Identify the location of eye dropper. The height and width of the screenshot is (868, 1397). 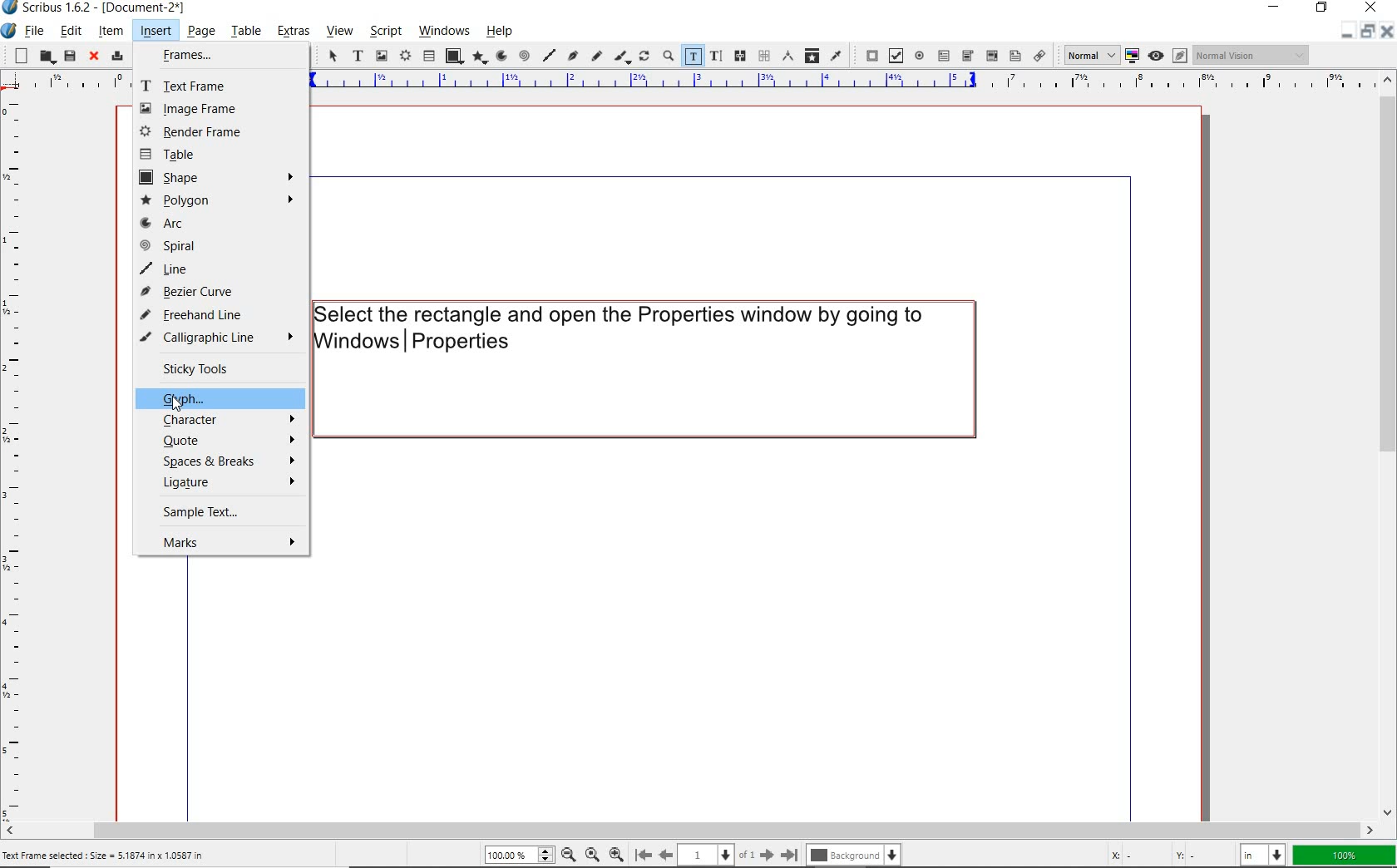
(837, 55).